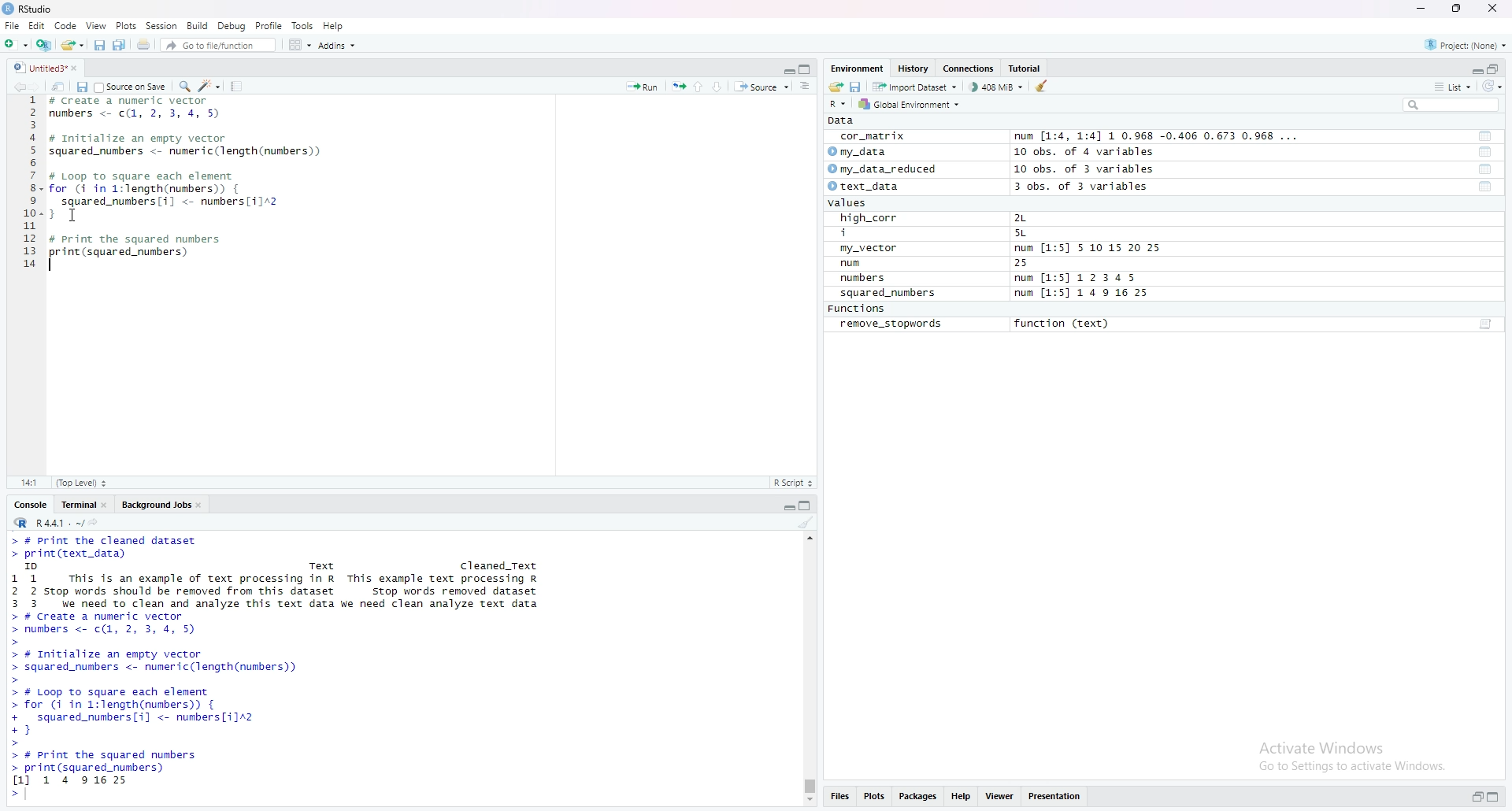 The image size is (1512, 811). I want to click on Go to file/function, so click(217, 43).